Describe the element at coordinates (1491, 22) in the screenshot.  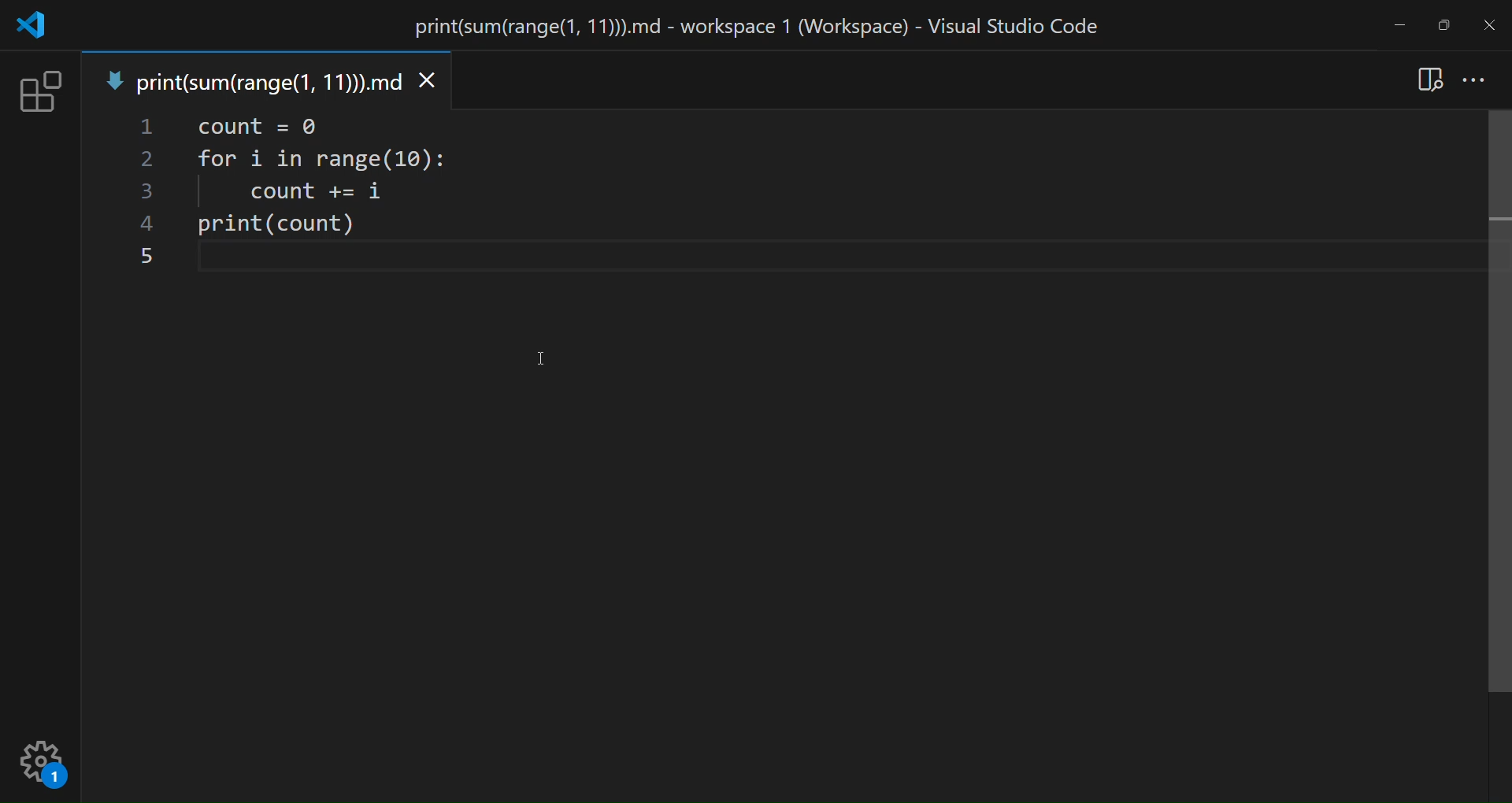
I see `close` at that location.